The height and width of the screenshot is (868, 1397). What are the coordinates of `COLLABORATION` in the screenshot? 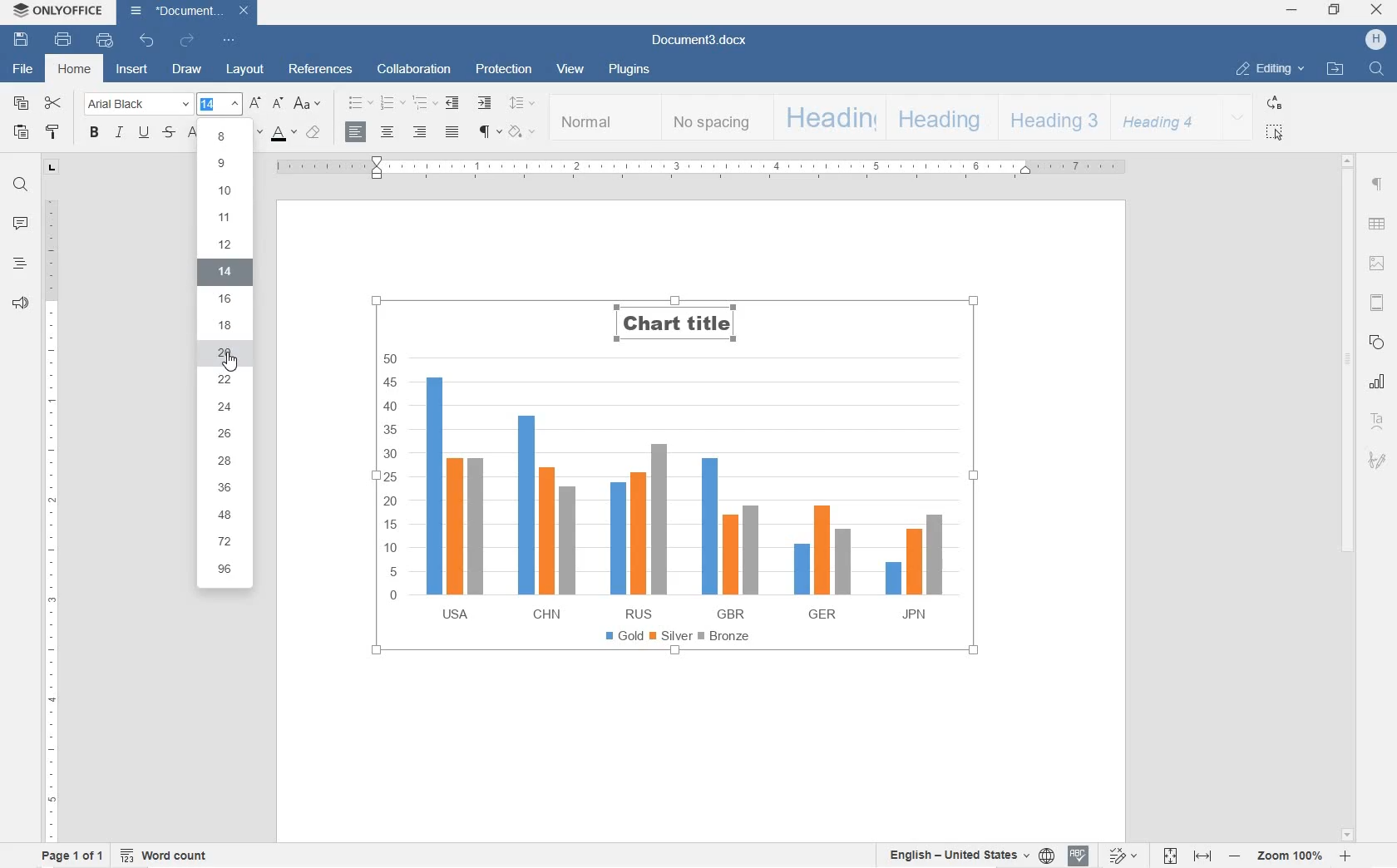 It's located at (412, 70).